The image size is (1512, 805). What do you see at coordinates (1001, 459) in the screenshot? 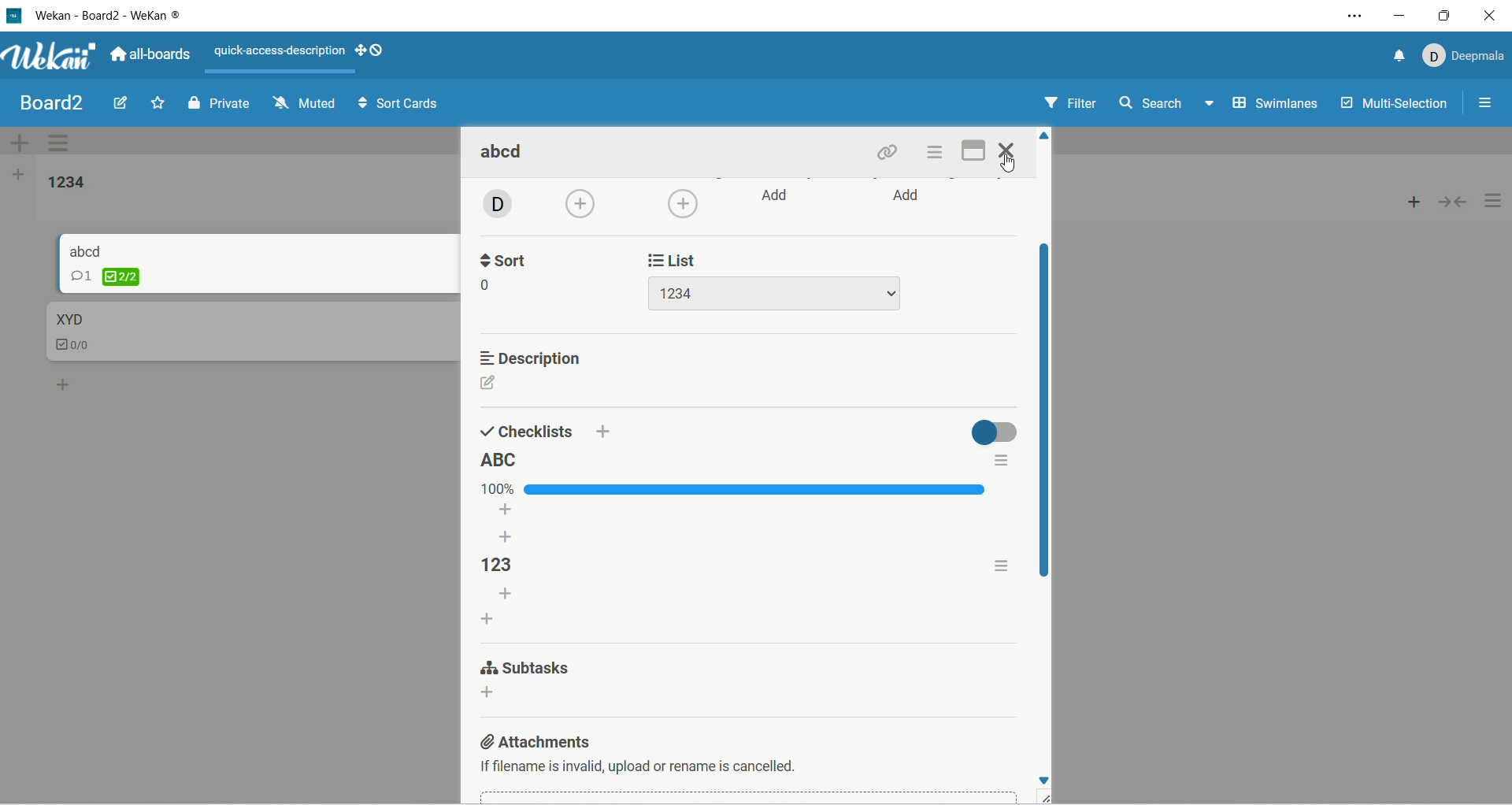
I see `options` at bounding box center [1001, 459].